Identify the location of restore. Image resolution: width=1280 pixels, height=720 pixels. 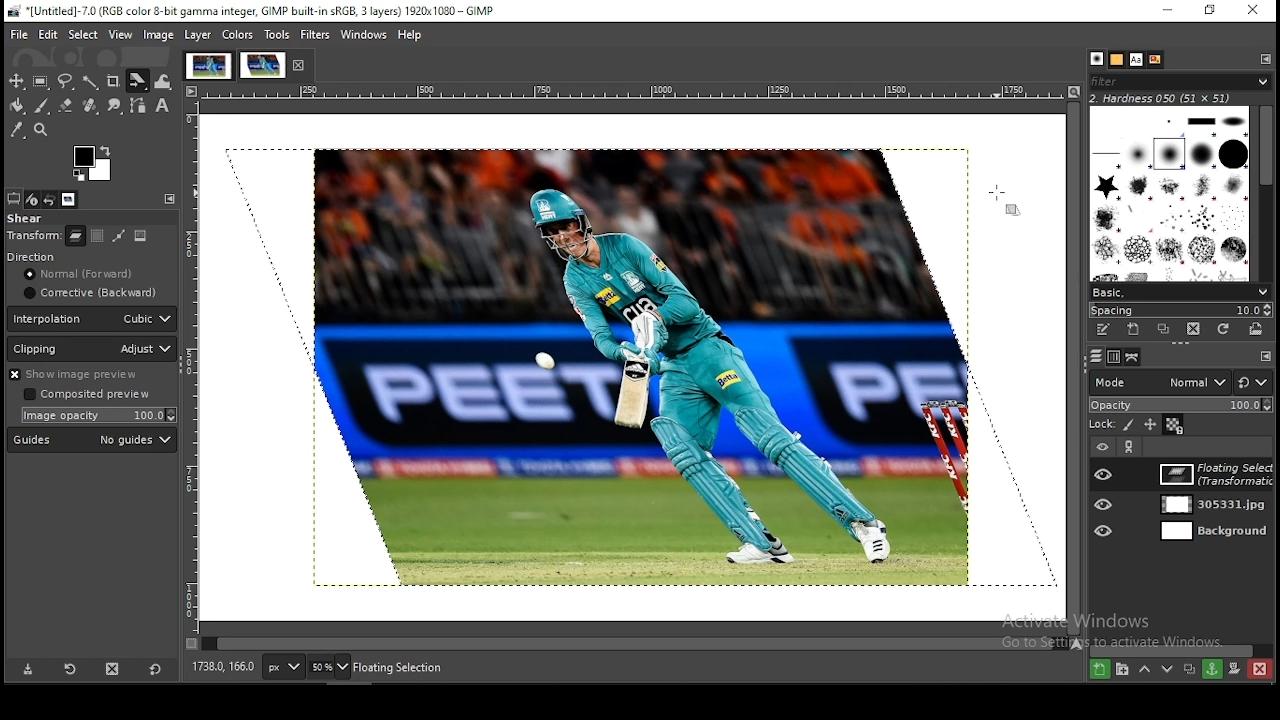
(1211, 12).